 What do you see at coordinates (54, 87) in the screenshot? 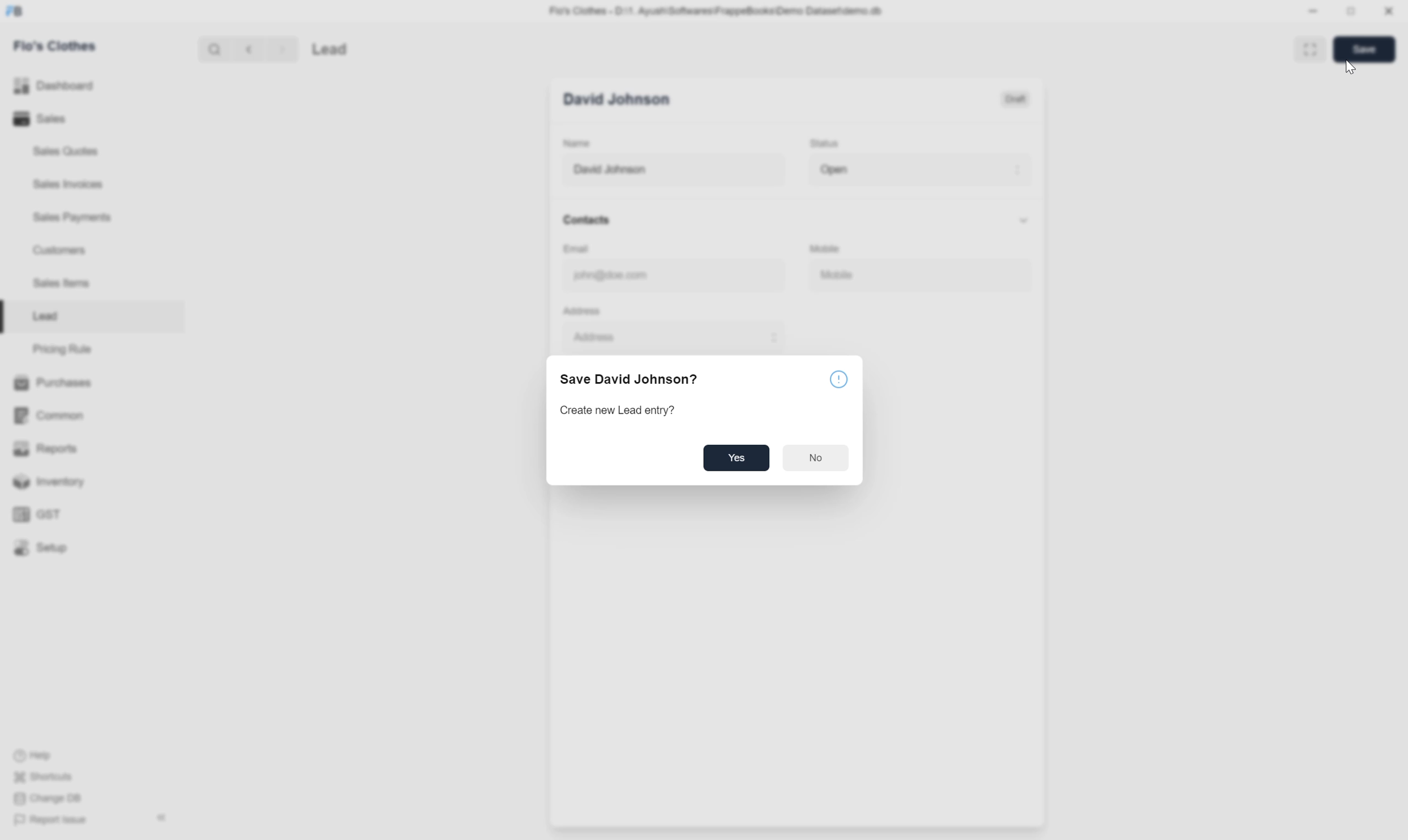
I see `Dashboard` at bounding box center [54, 87].